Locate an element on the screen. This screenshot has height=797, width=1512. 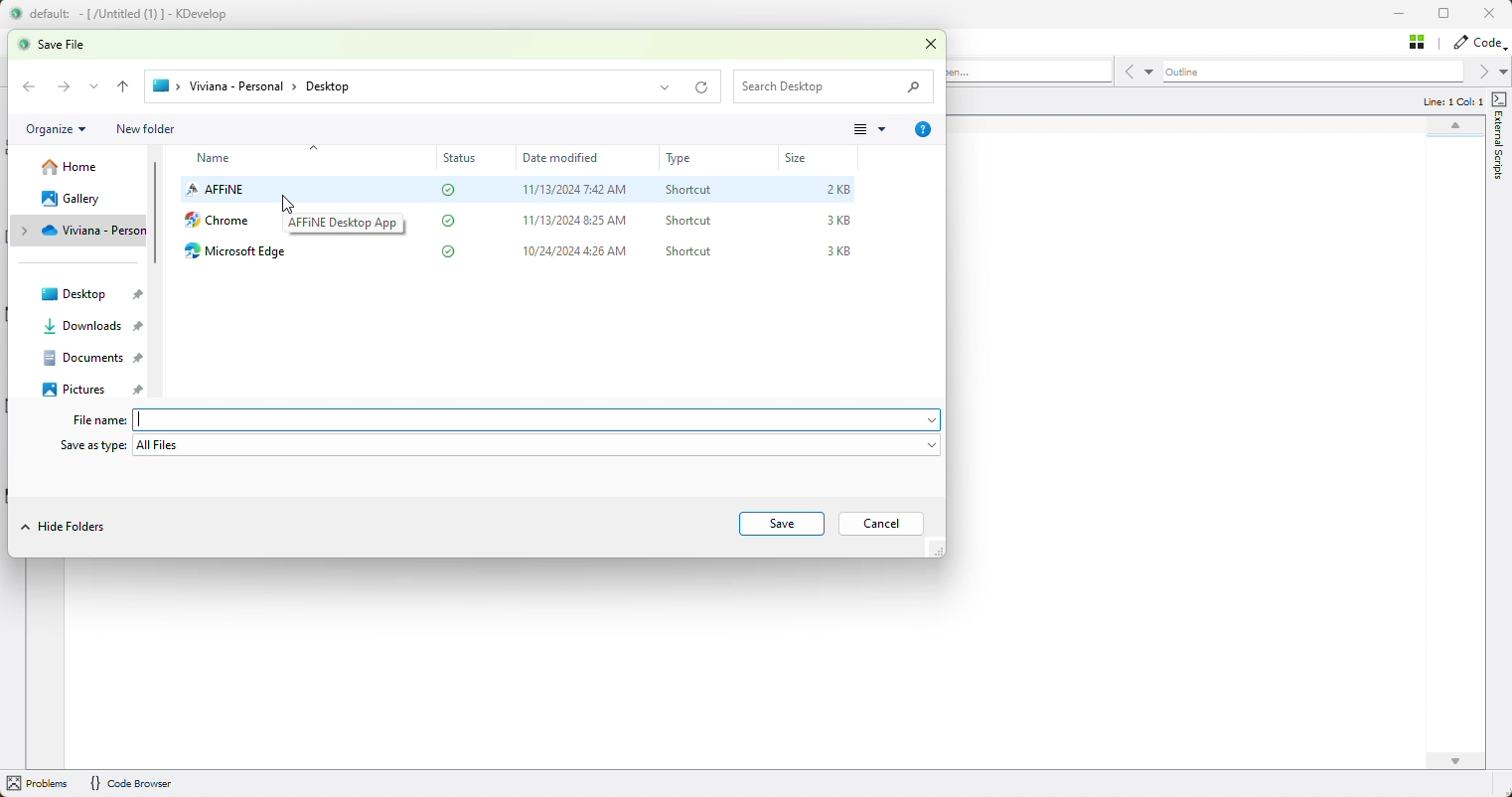
status completed is located at coordinates (453, 221).